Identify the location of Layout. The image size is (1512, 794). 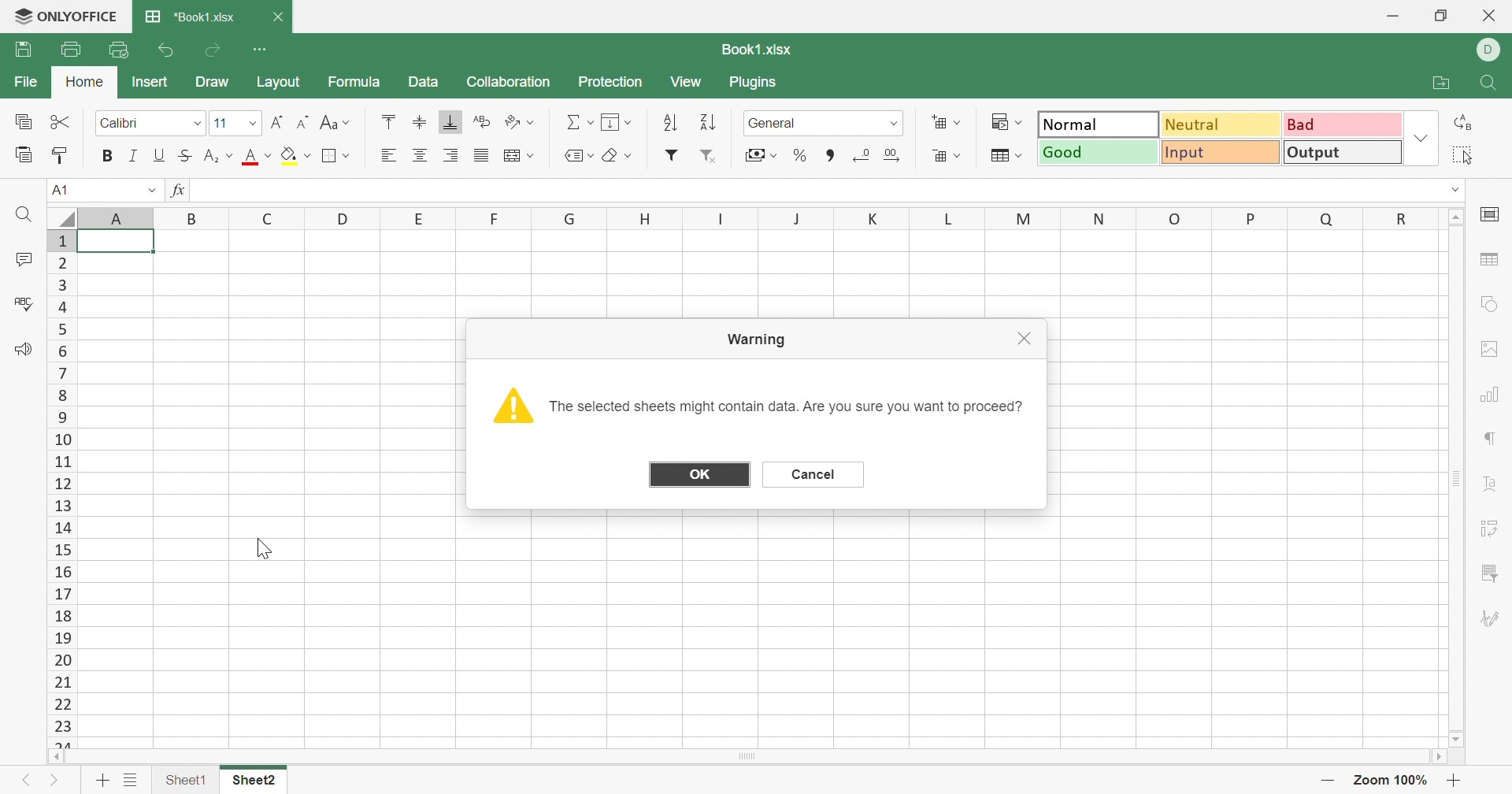
(279, 83).